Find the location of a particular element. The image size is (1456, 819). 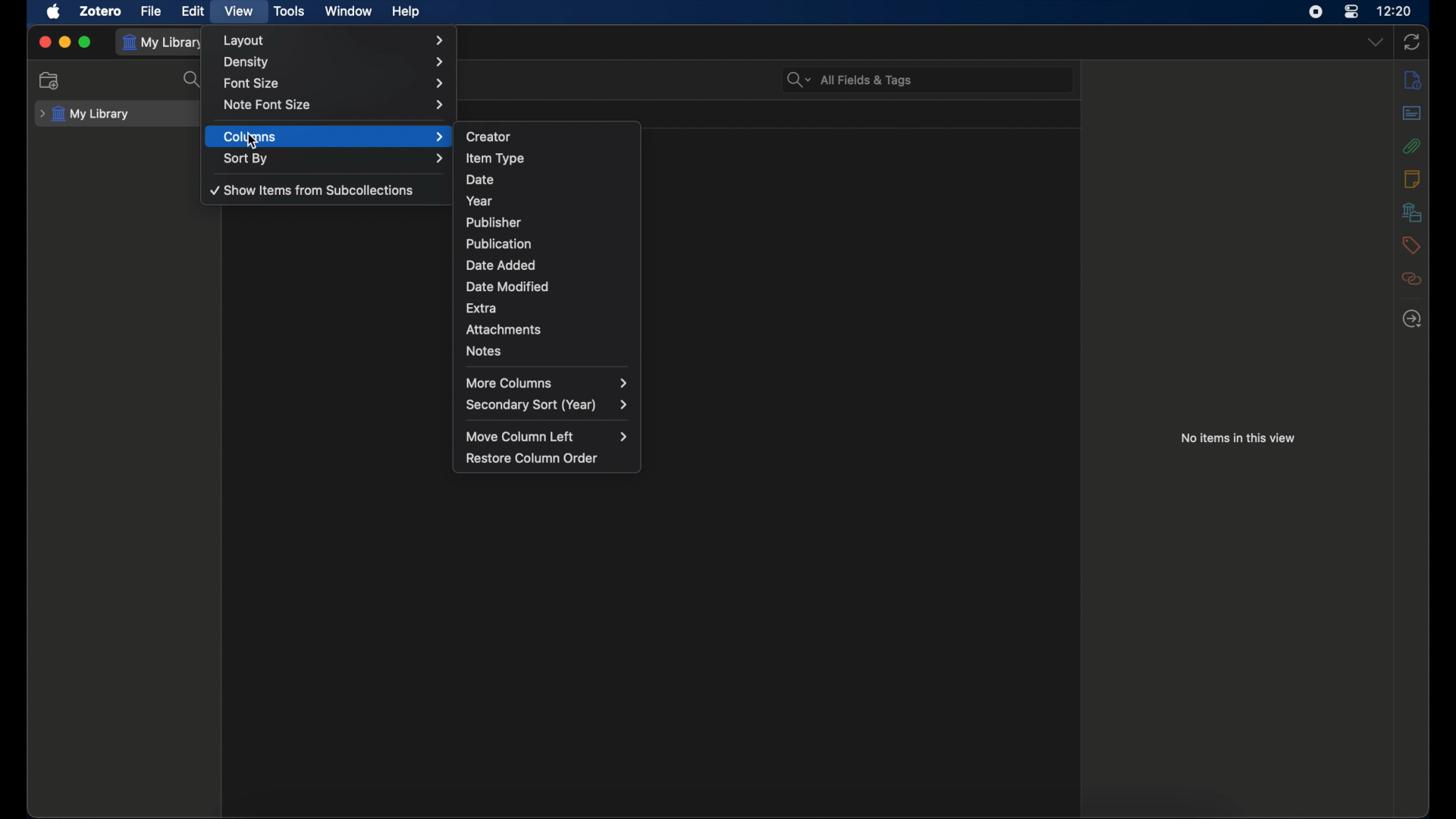

publication is located at coordinates (499, 243).